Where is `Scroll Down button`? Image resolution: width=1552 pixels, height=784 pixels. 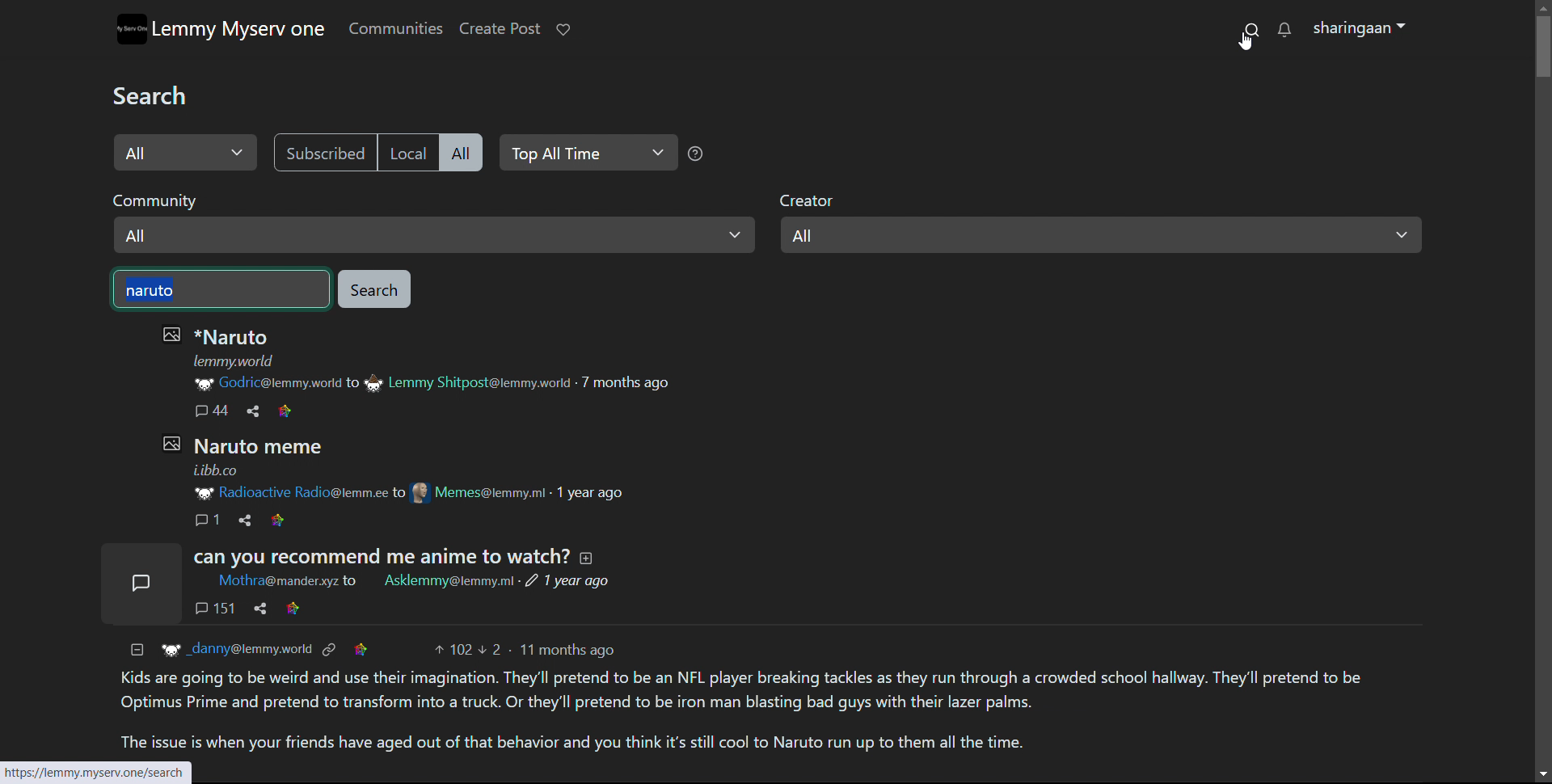 Scroll Down button is located at coordinates (1532, 766).